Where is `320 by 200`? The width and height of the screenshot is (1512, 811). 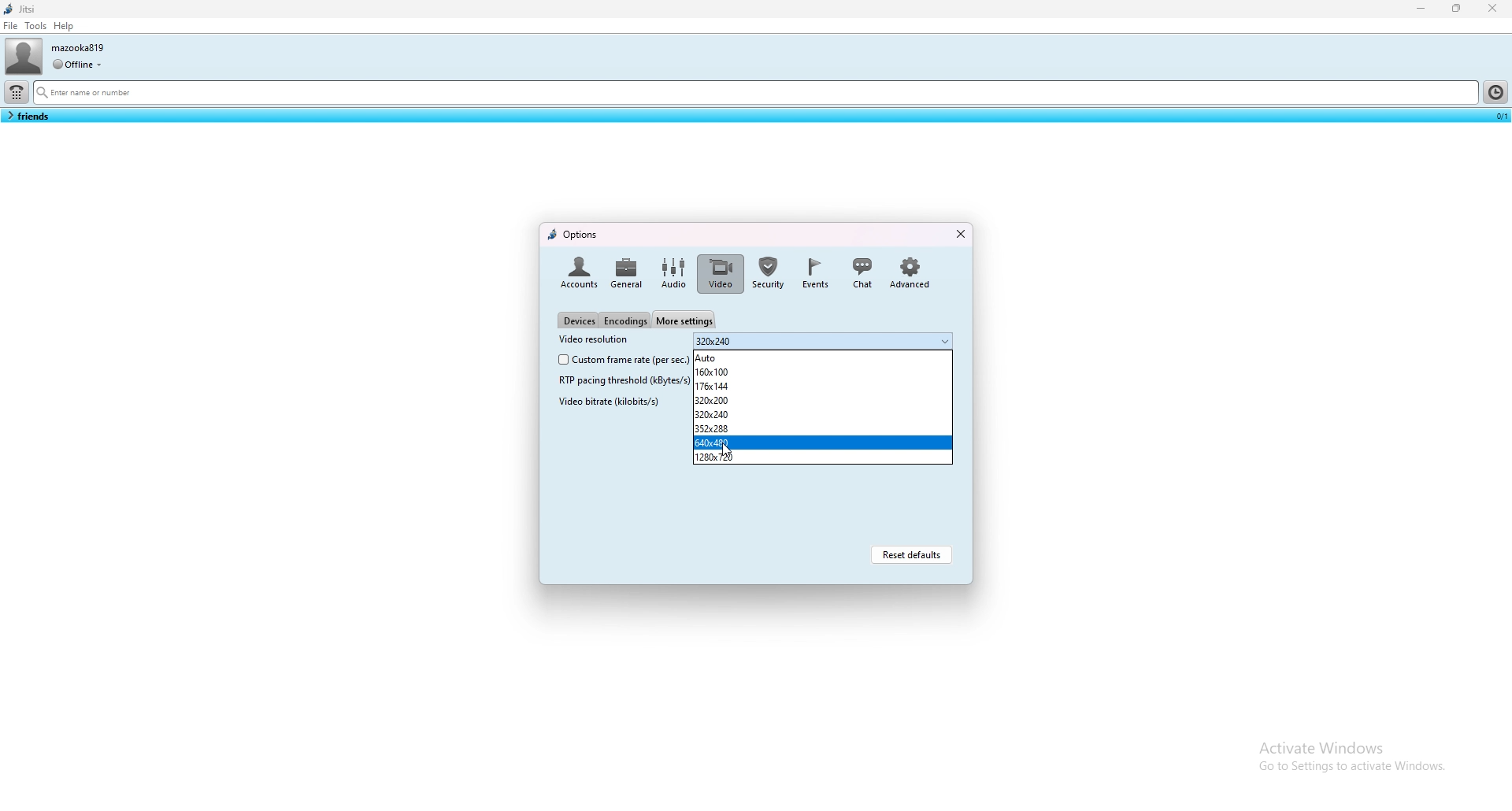 320 by 200 is located at coordinates (820, 401).